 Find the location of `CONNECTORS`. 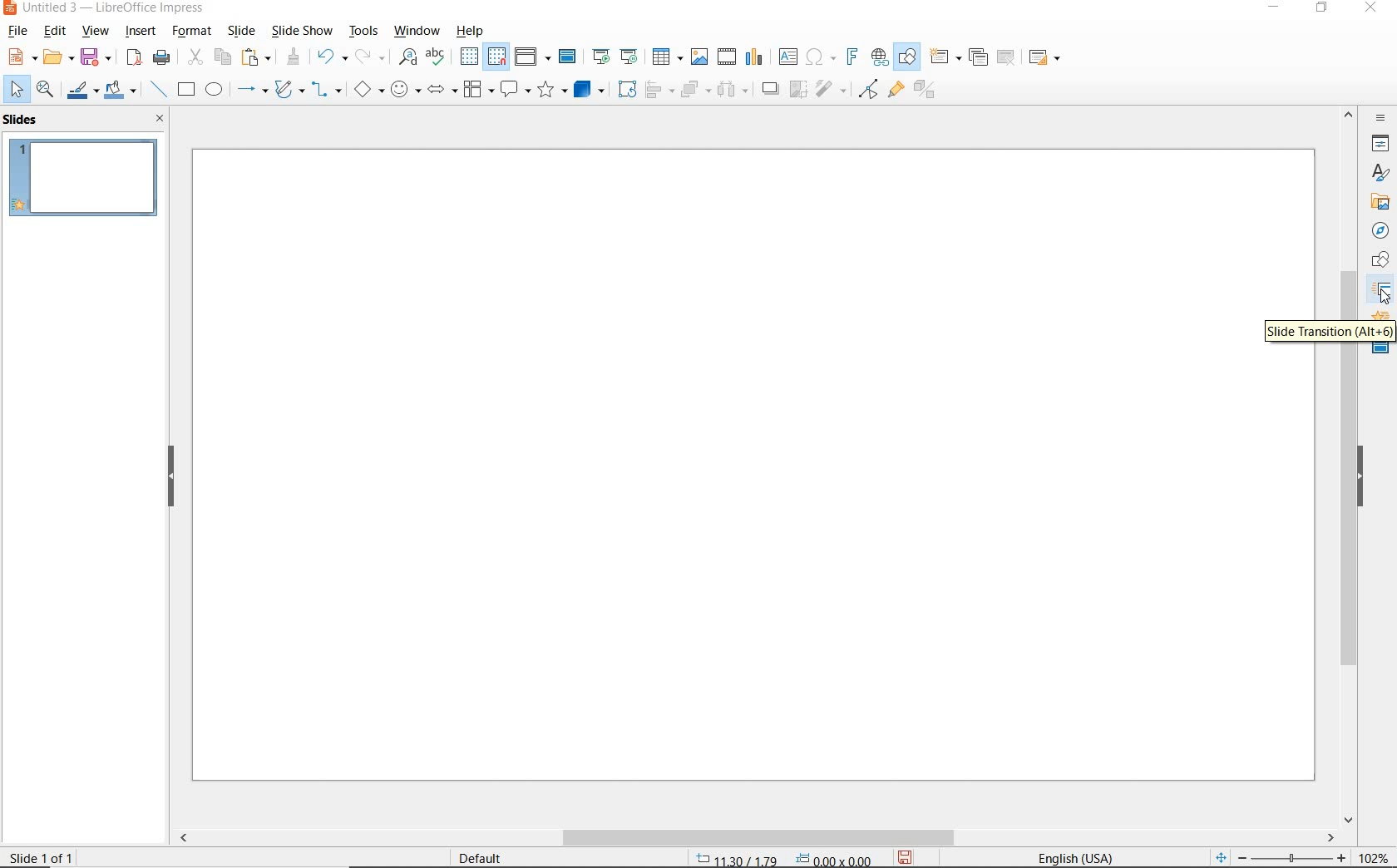

CONNECTORS is located at coordinates (326, 91).